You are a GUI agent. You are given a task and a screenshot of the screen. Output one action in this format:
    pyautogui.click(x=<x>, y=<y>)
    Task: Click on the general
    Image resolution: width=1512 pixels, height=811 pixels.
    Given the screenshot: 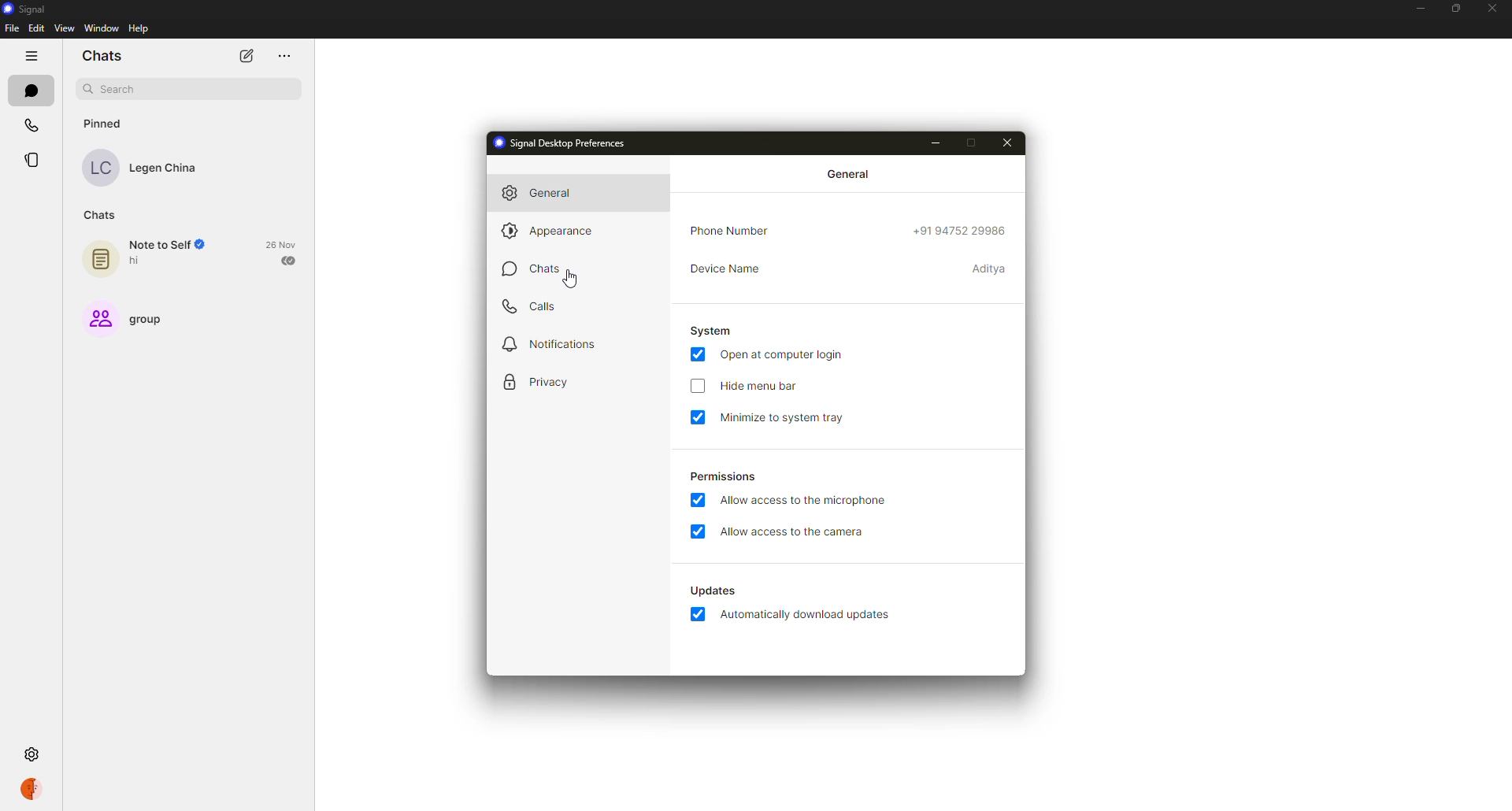 What is the action you would take?
    pyautogui.click(x=547, y=191)
    